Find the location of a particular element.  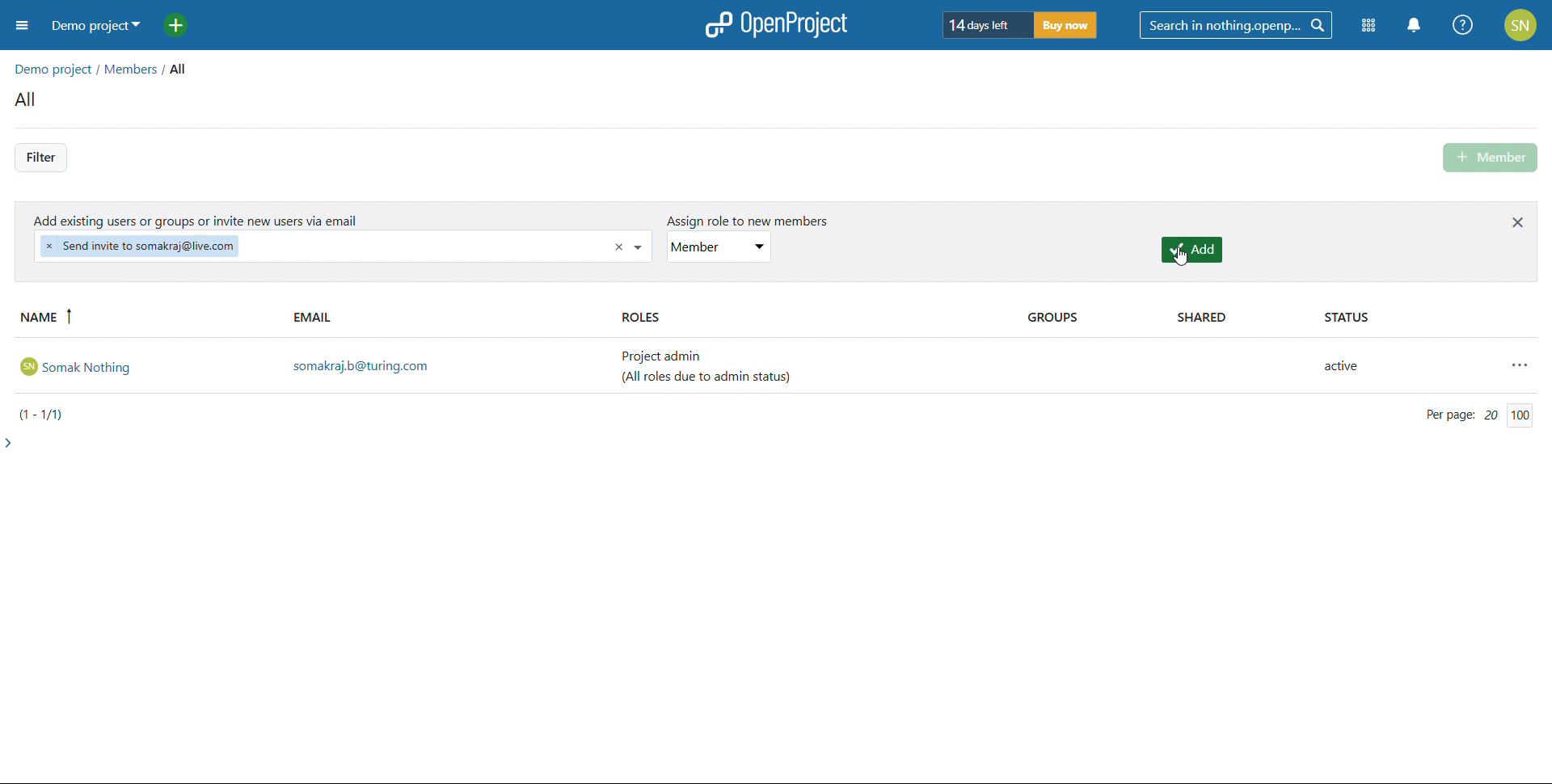

open project is located at coordinates (775, 24).